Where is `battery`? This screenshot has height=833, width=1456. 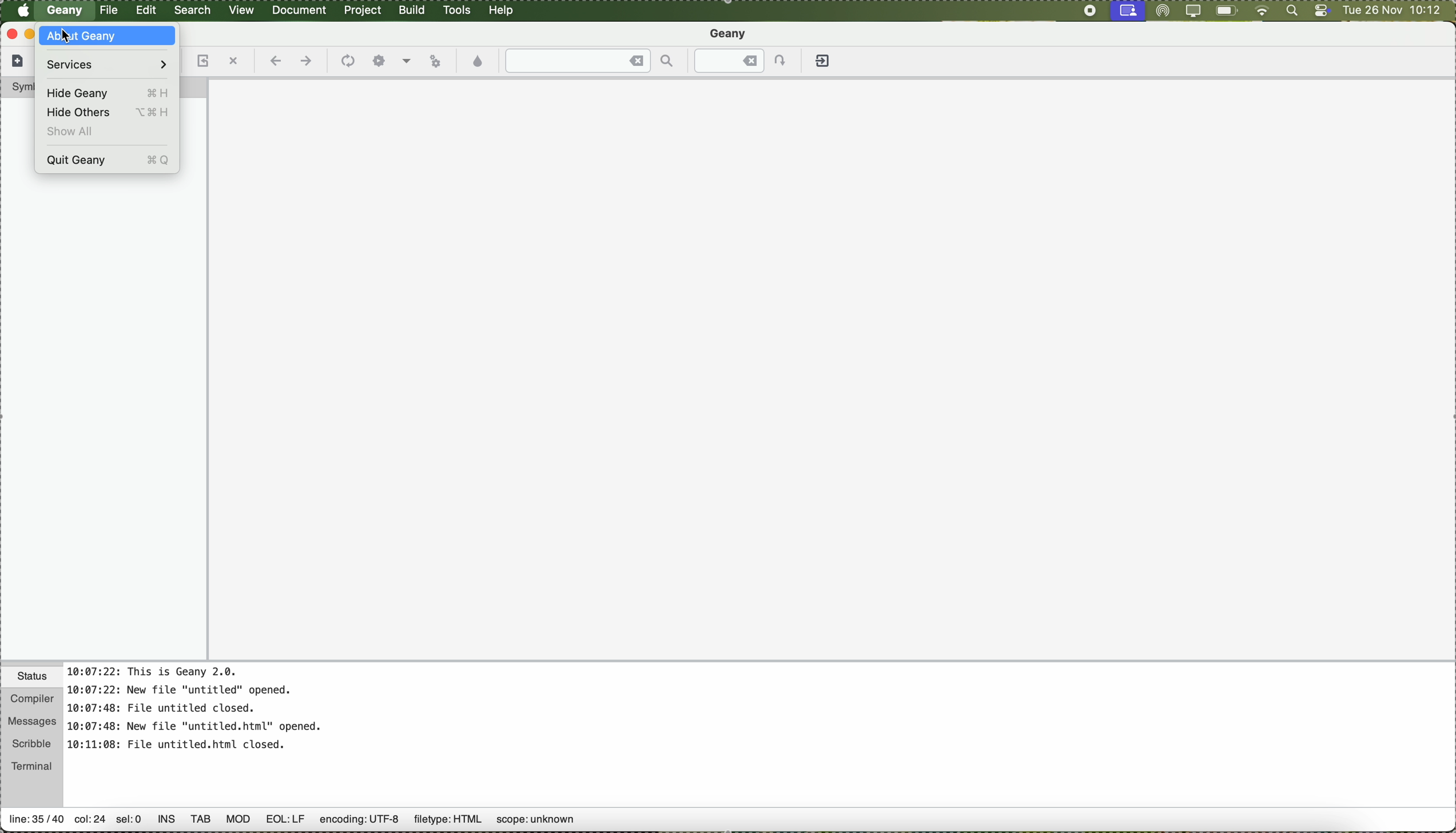 battery is located at coordinates (1227, 11).